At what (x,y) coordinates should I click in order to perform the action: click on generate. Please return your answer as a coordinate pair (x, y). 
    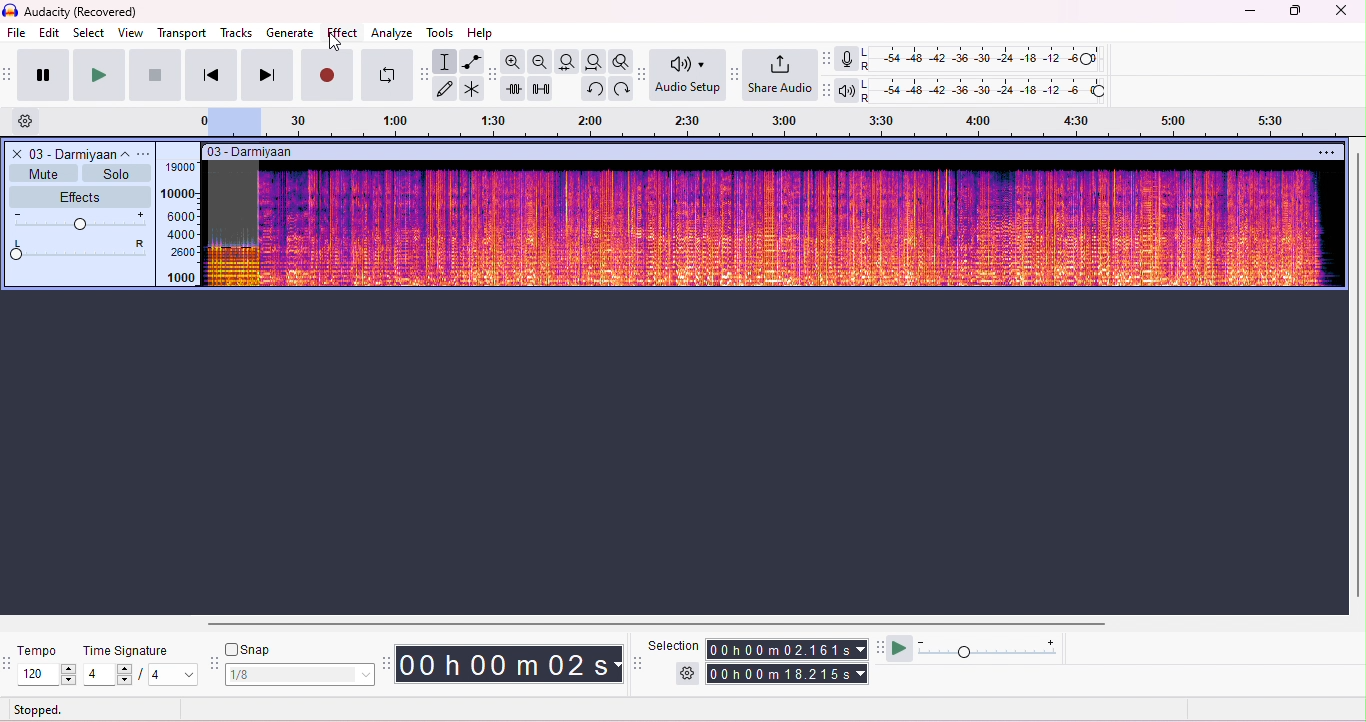
    Looking at the image, I should click on (291, 33).